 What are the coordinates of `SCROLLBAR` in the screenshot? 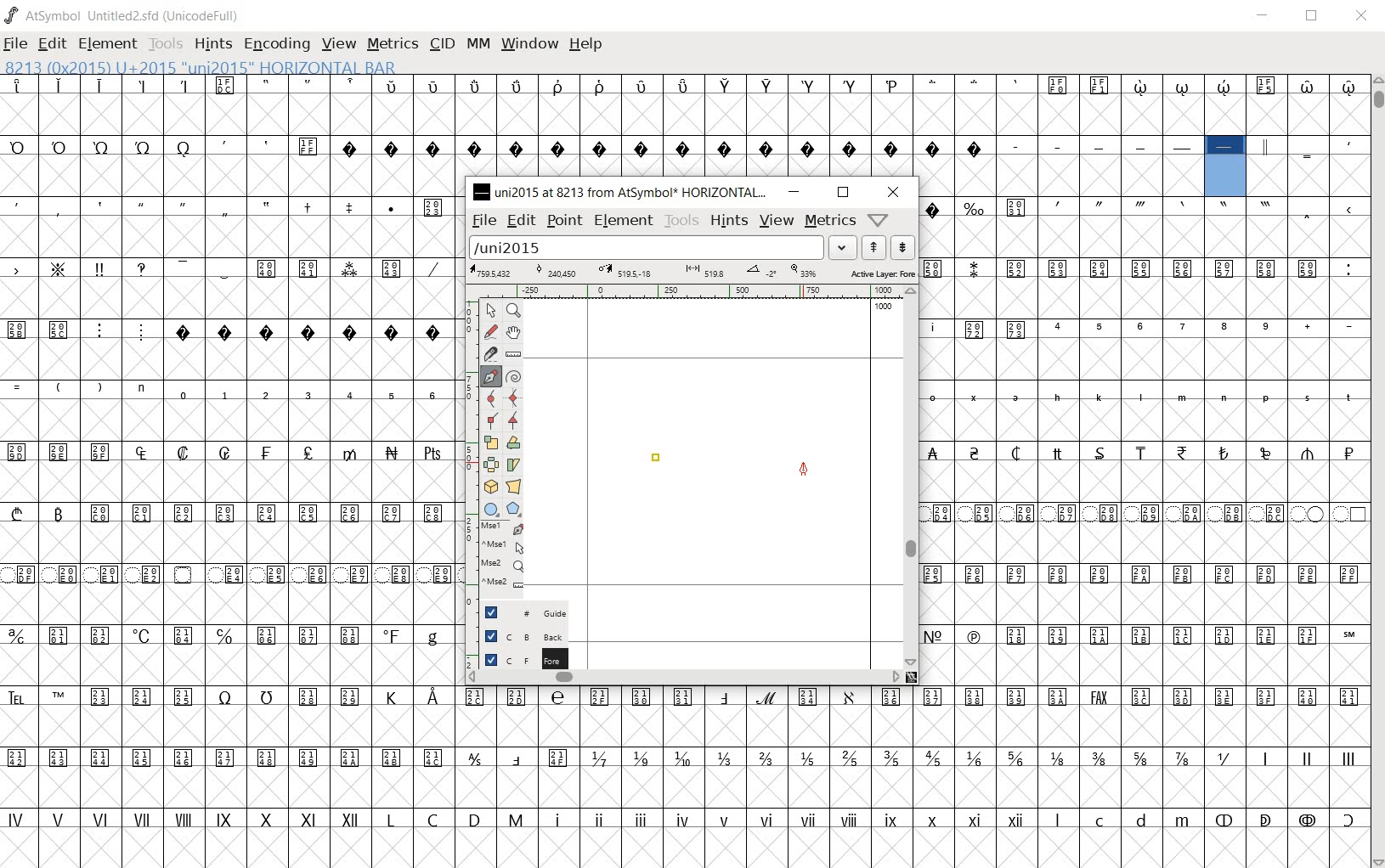 It's located at (1378, 471).